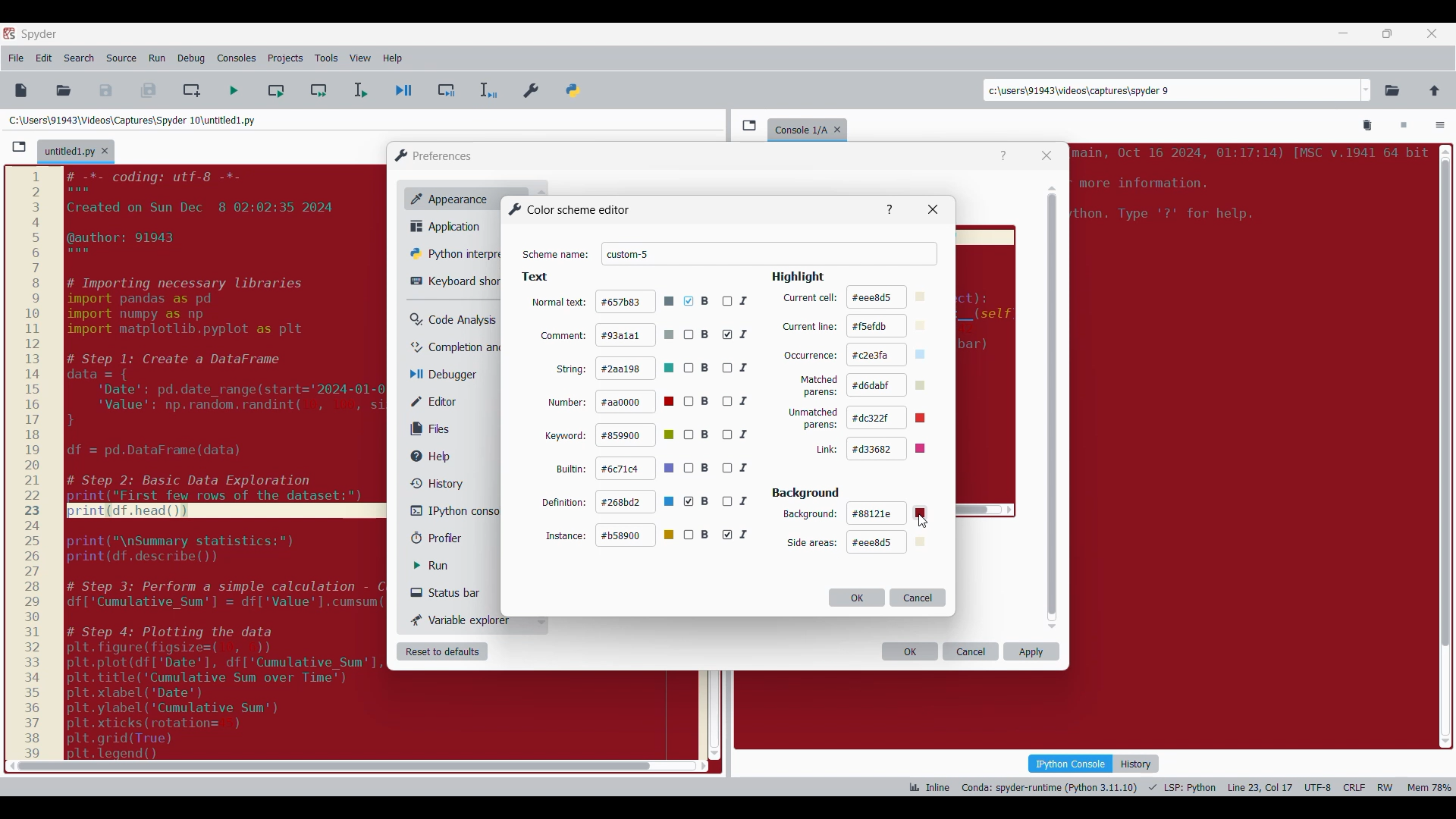 This screenshot has width=1456, height=819. What do you see at coordinates (890, 208) in the screenshot?
I see `` at bounding box center [890, 208].